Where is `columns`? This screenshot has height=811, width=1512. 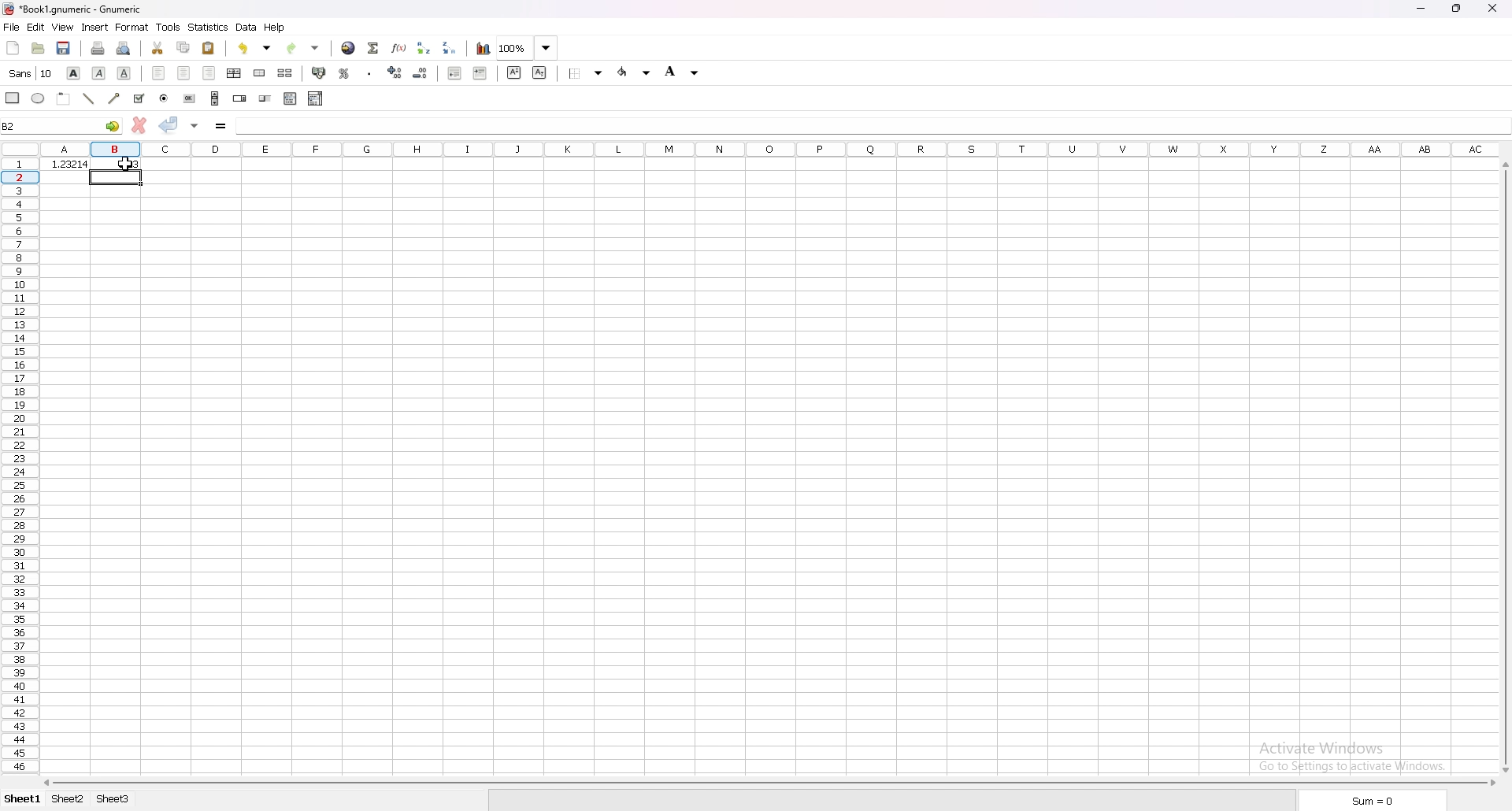
columns is located at coordinates (773, 149).